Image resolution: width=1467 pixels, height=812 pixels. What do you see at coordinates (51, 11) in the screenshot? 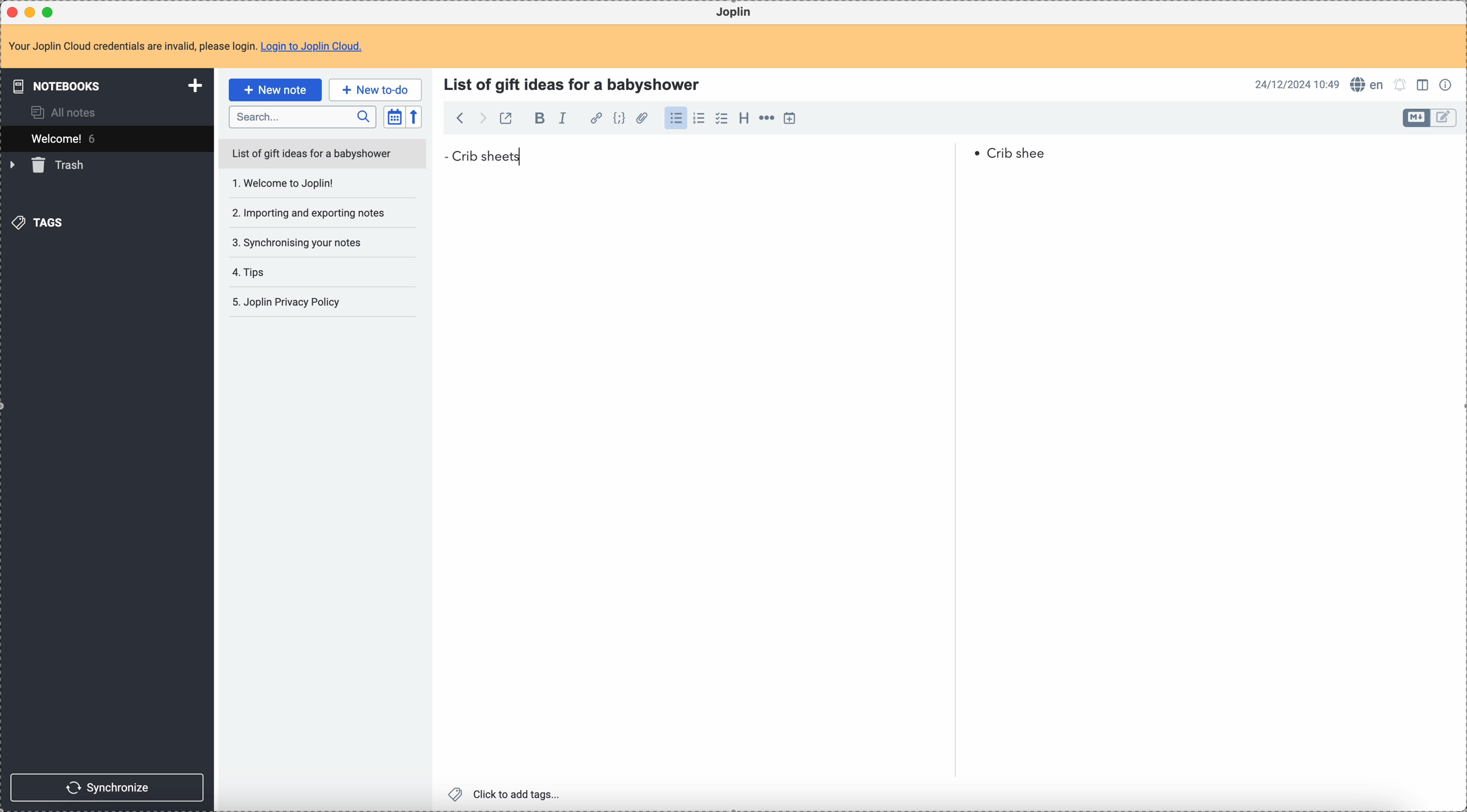
I see `maximize Joplin` at bounding box center [51, 11].